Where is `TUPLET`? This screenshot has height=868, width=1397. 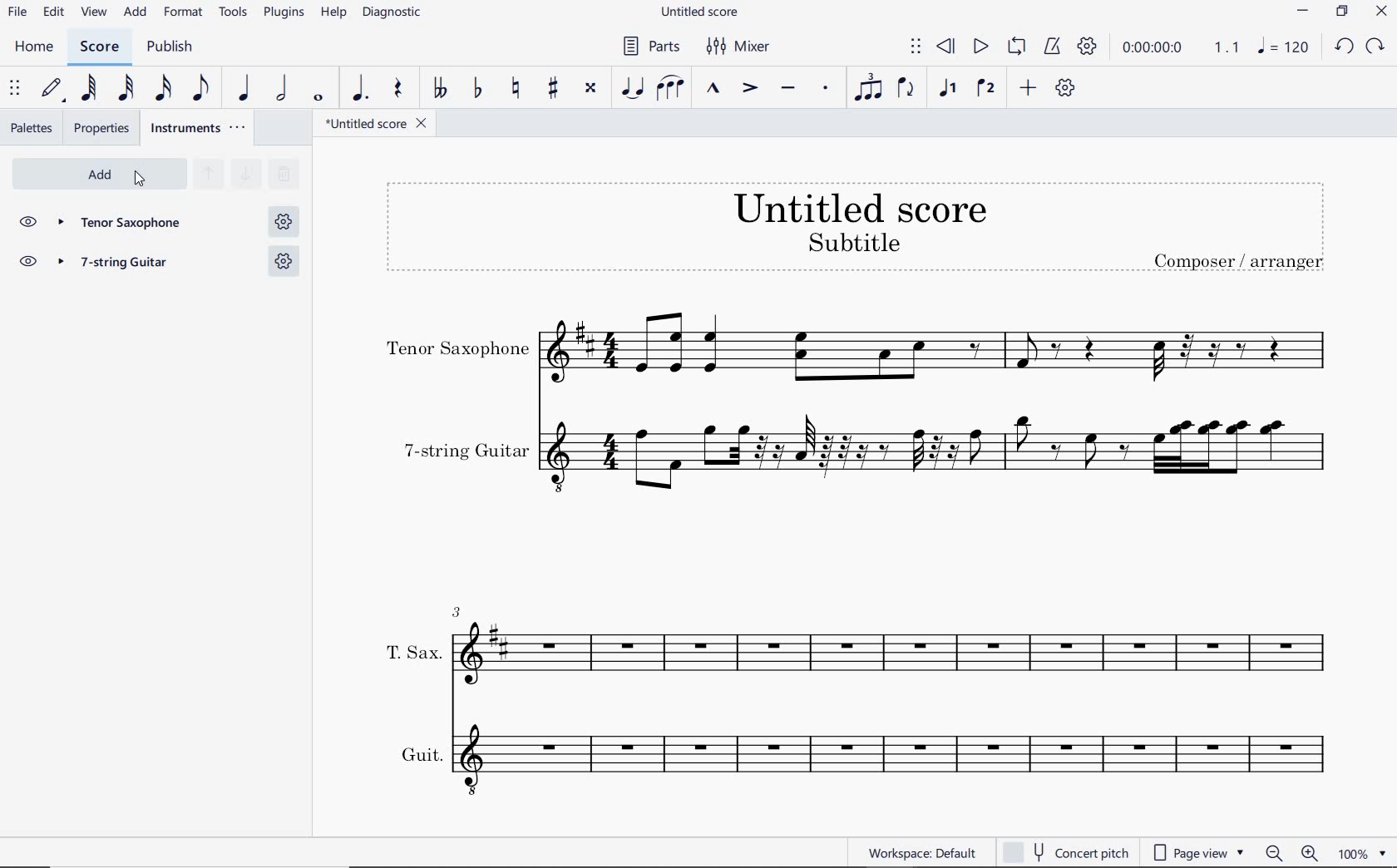
TUPLET is located at coordinates (868, 87).